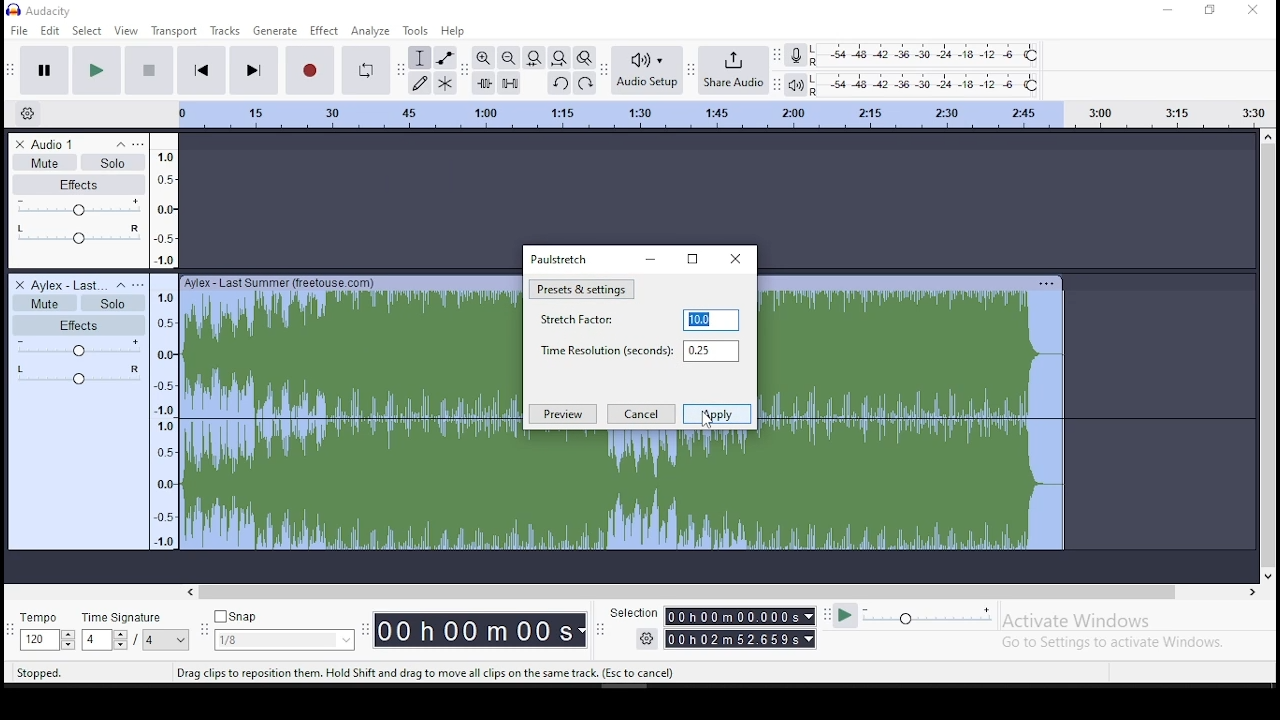 This screenshot has height=720, width=1280. What do you see at coordinates (79, 381) in the screenshot?
I see `audio effect` at bounding box center [79, 381].